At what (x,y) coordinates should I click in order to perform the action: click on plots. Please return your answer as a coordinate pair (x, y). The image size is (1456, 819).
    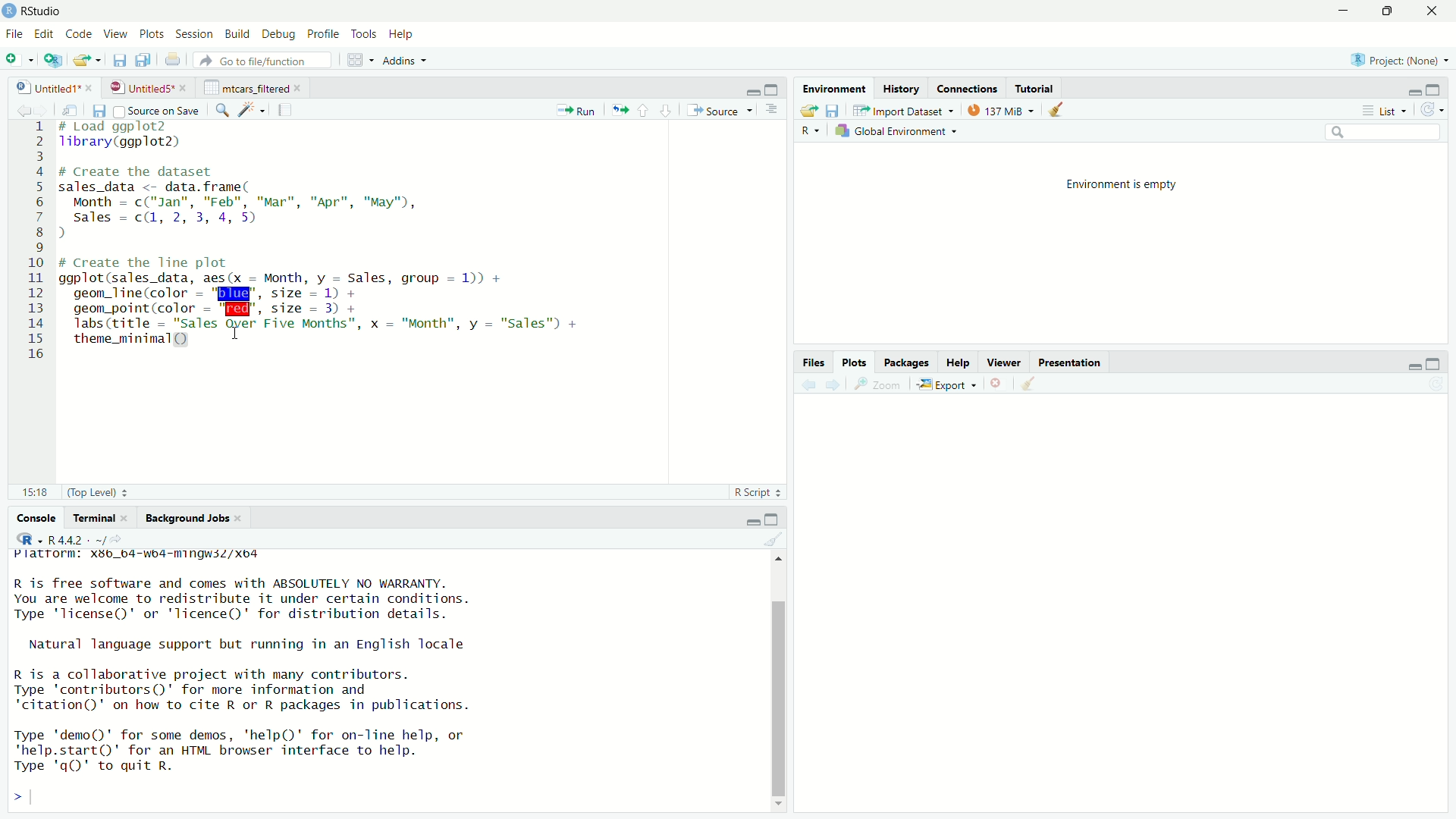
    Looking at the image, I should click on (154, 35).